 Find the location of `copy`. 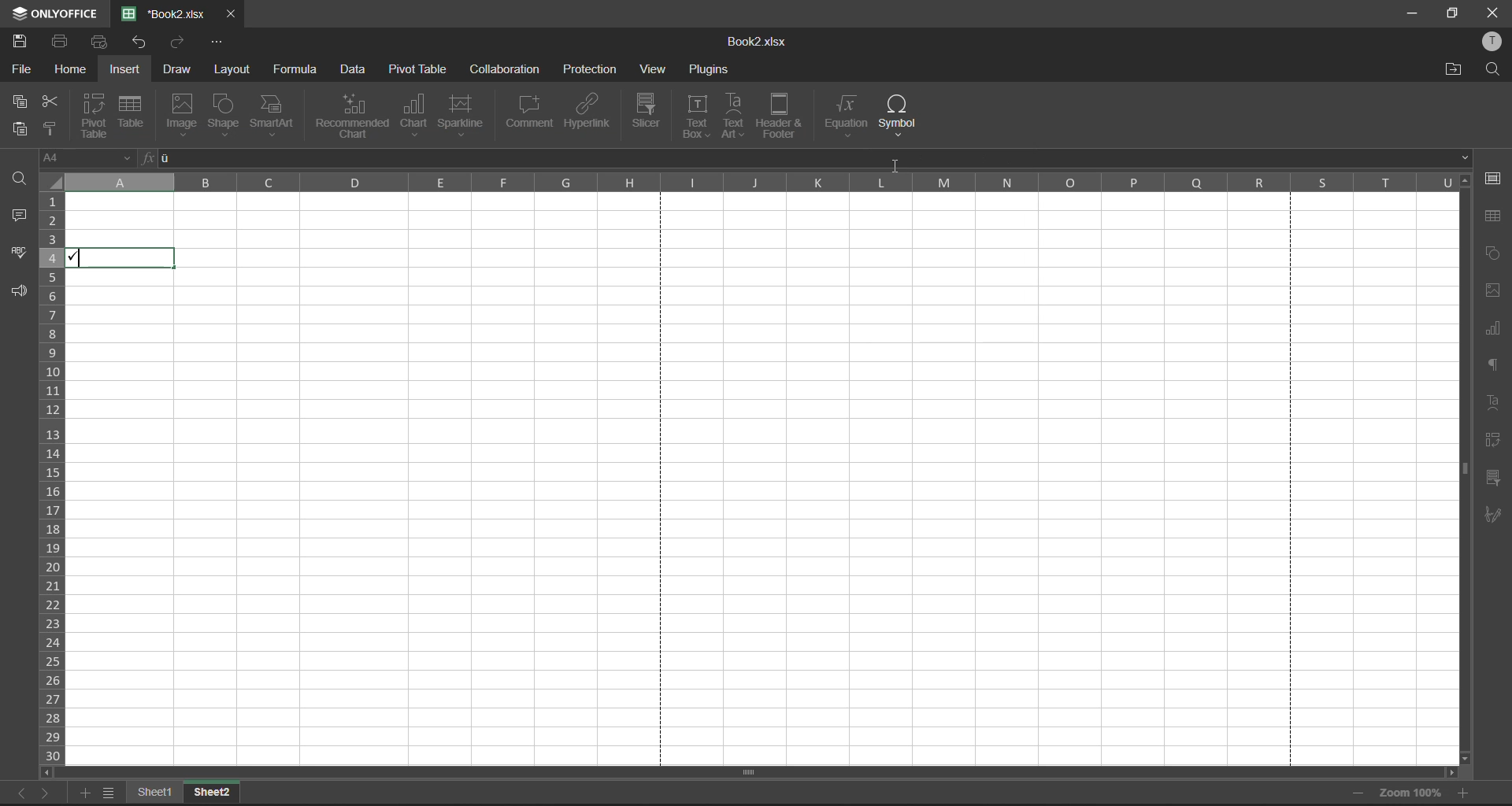

copy is located at coordinates (21, 102).